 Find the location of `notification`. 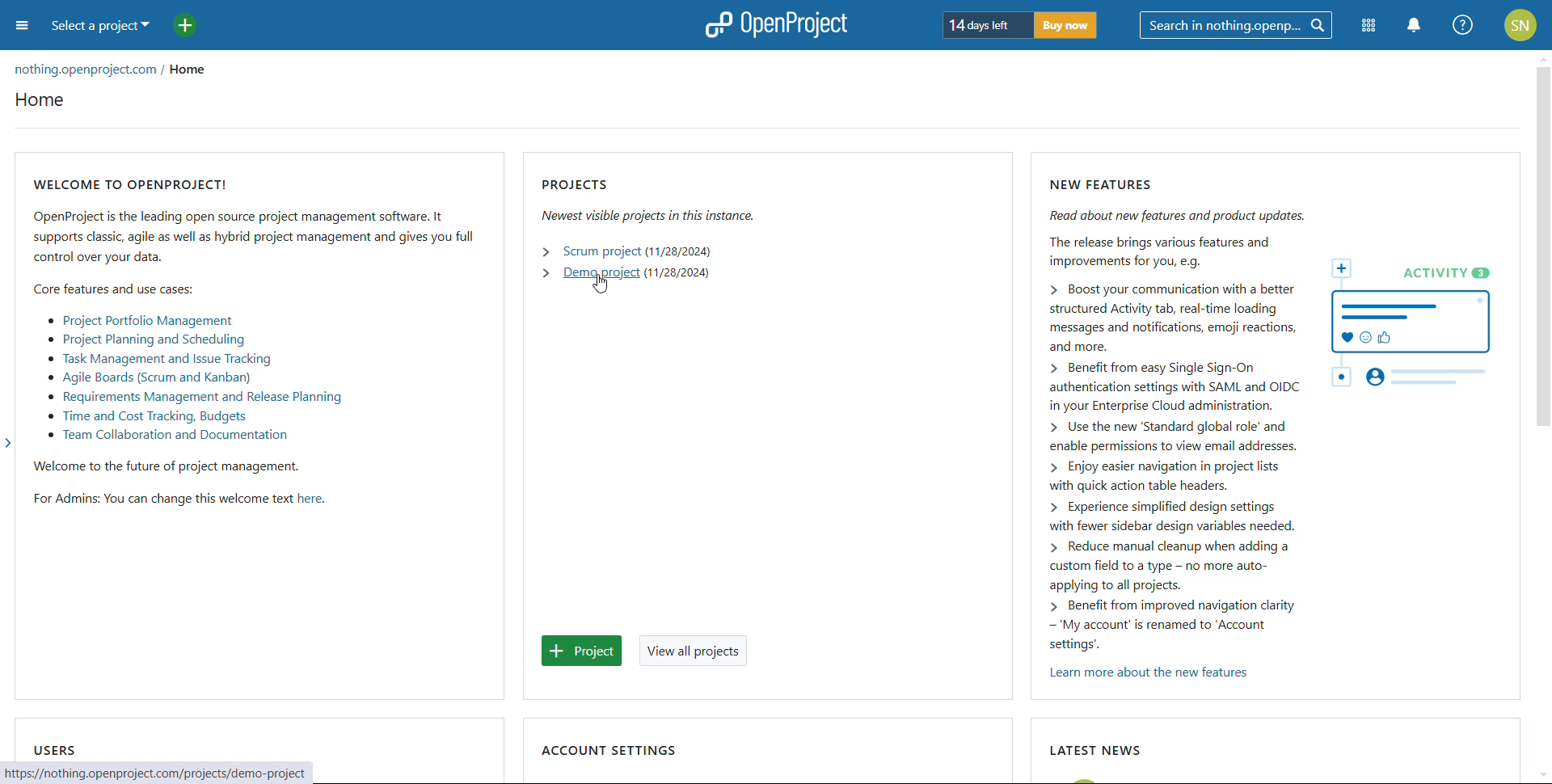

notification is located at coordinates (1416, 25).